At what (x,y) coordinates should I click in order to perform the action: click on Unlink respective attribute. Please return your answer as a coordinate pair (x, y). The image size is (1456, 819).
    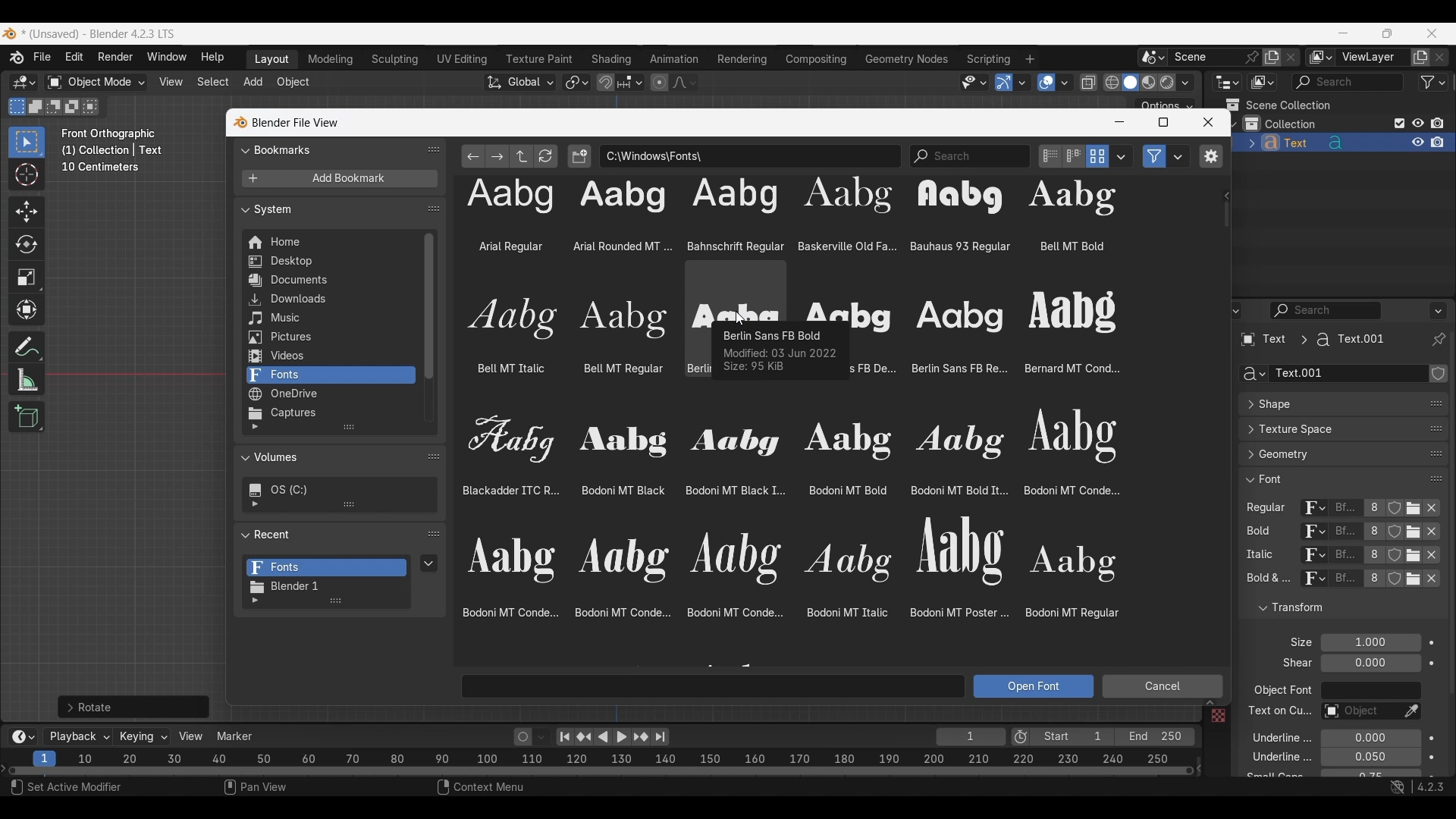
    Looking at the image, I should click on (1436, 510).